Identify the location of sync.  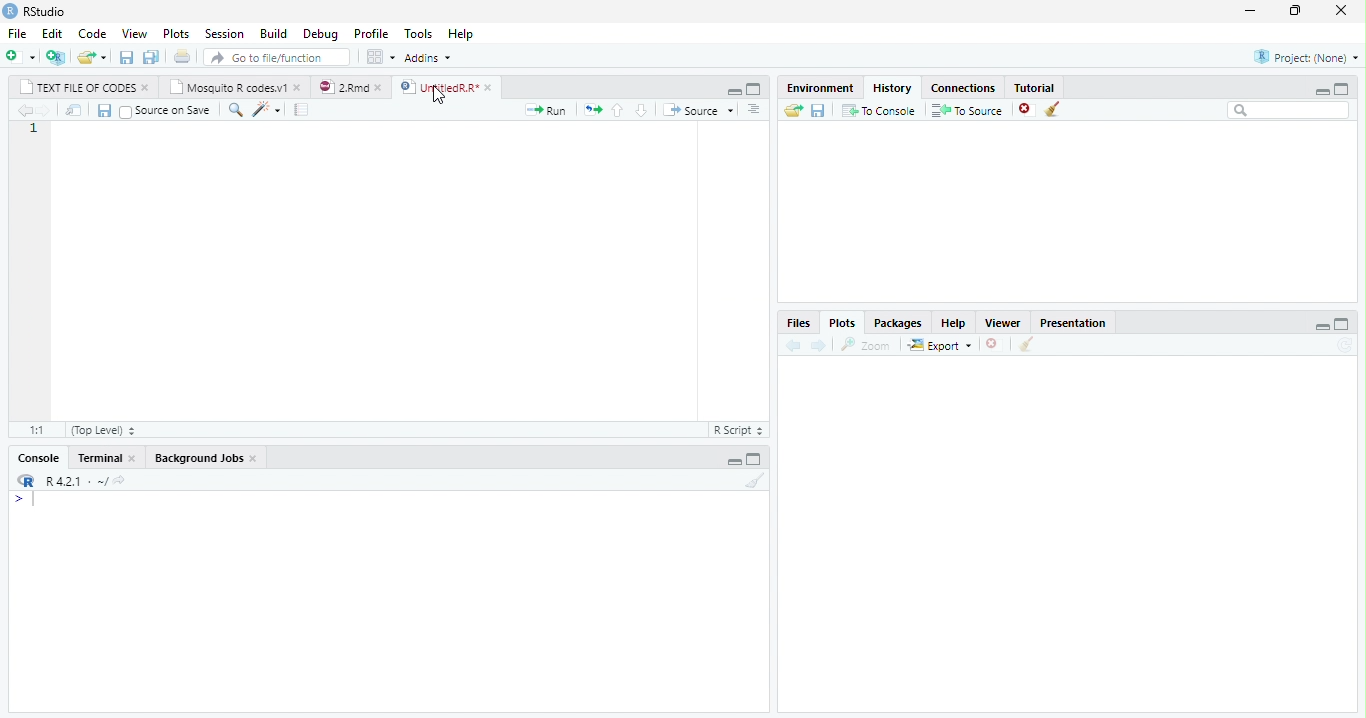
(1347, 347).